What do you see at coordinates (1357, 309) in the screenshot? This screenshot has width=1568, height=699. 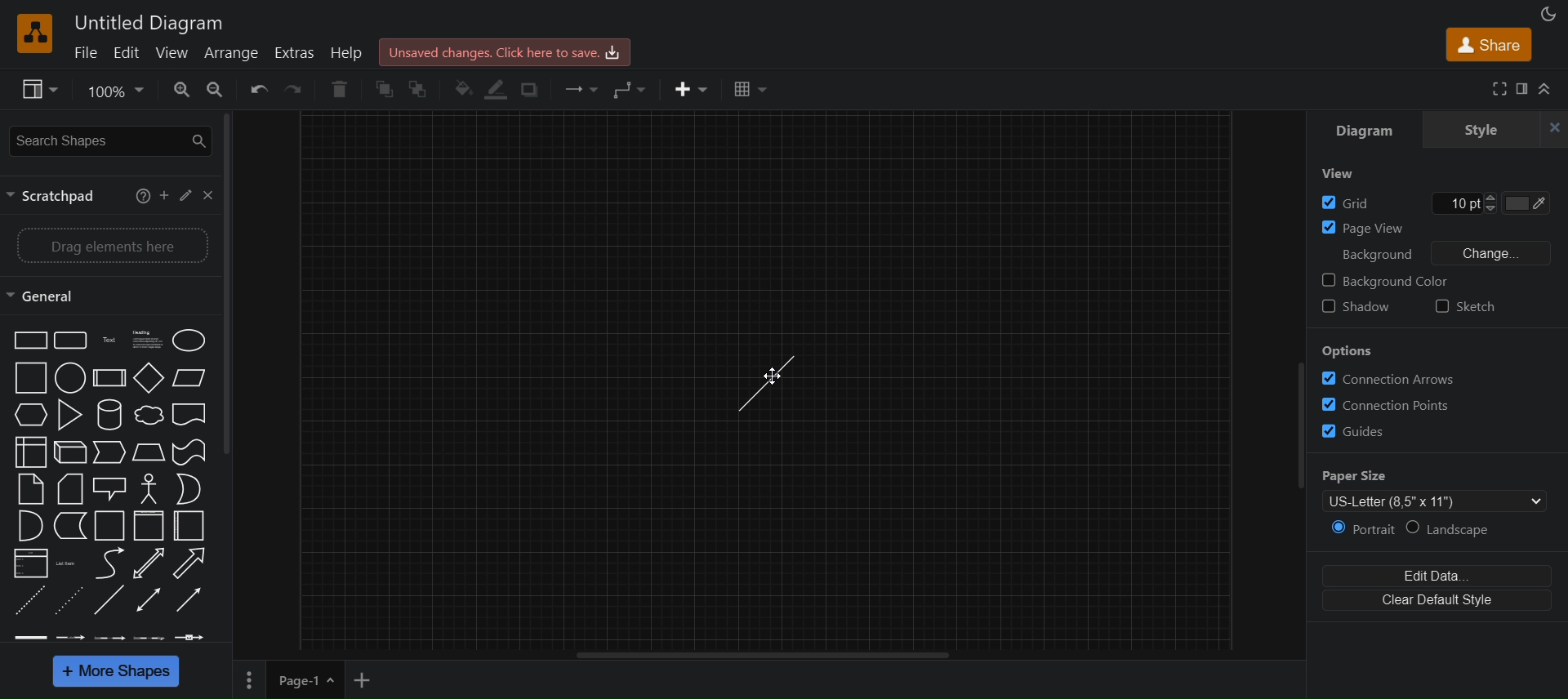 I see `shadow` at bounding box center [1357, 309].